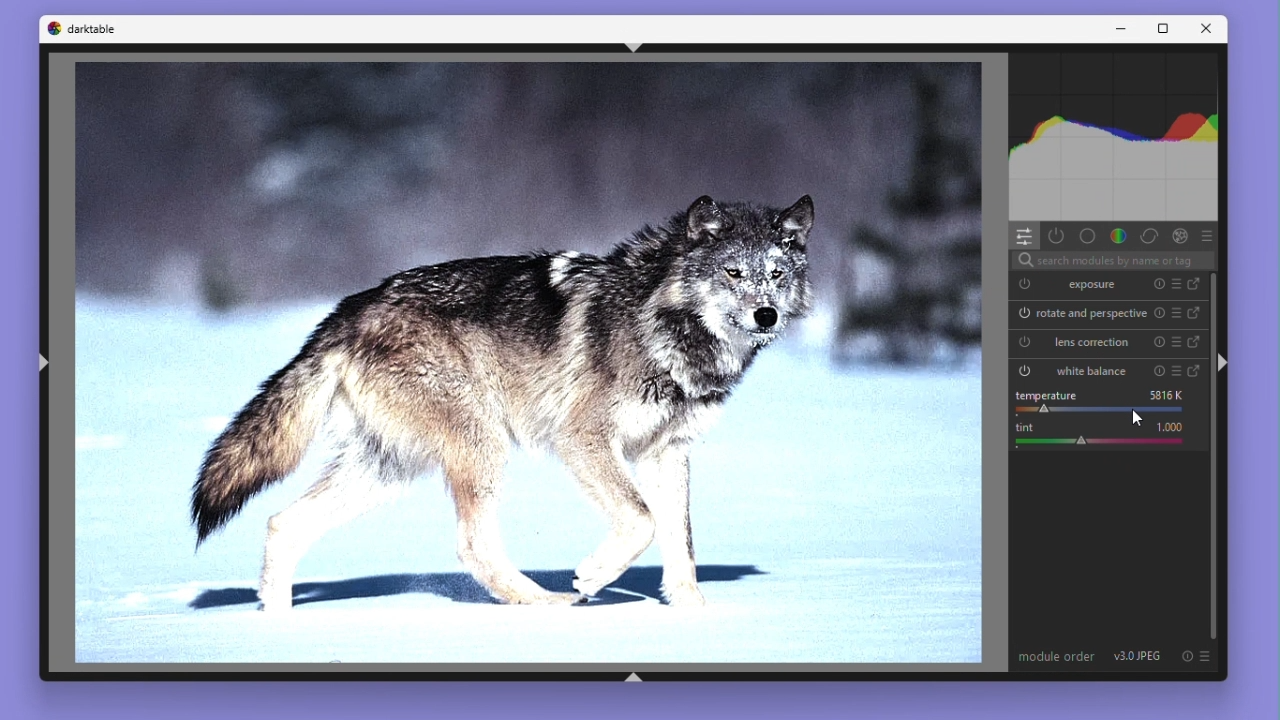  What do you see at coordinates (1217, 458) in the screenshot?
I see `Vertical scroll bar` at bounding box center [1217, 458].